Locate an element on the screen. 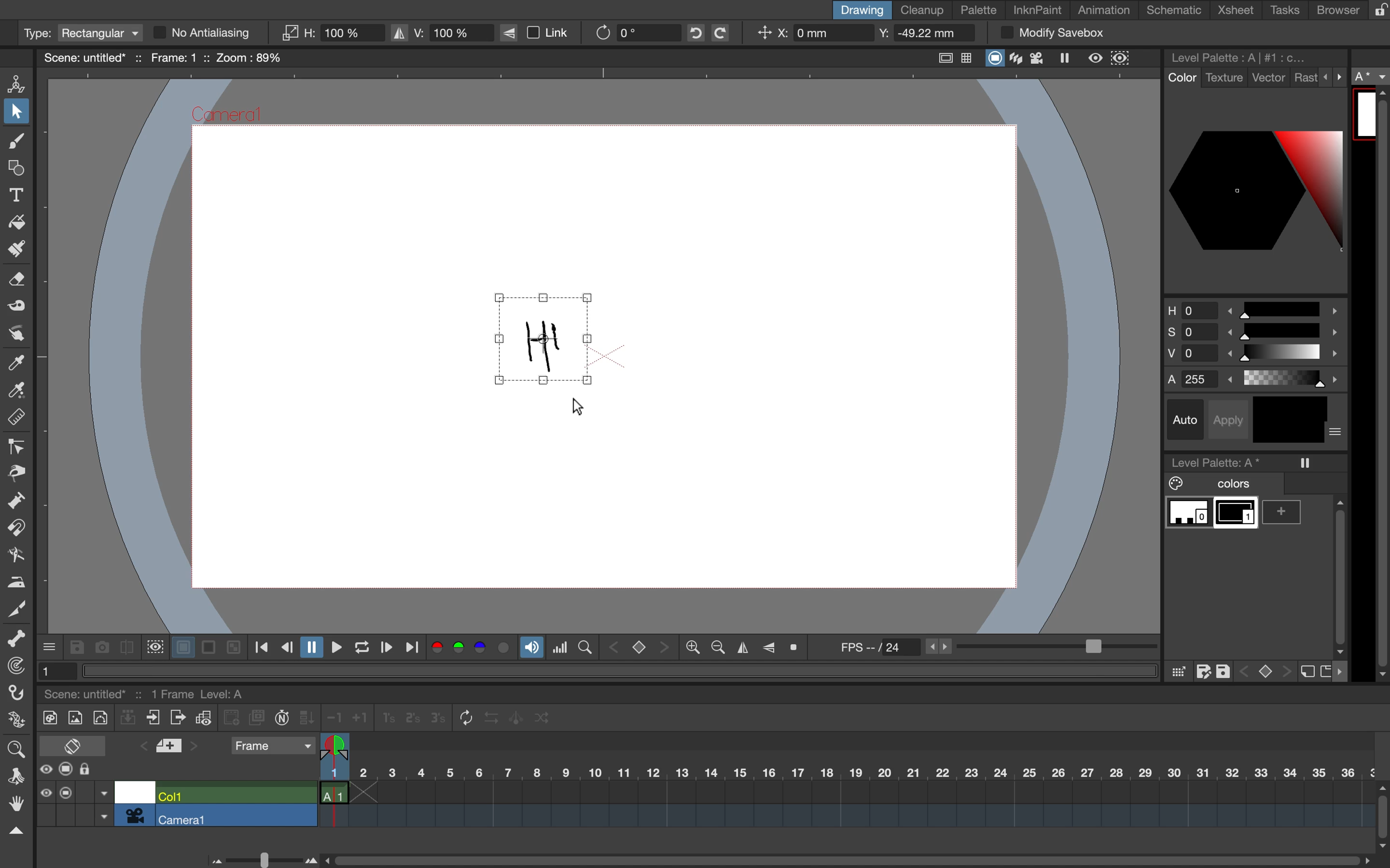 This screenshot has width=1390, height=868. redo is located at coordinates (729, 33).